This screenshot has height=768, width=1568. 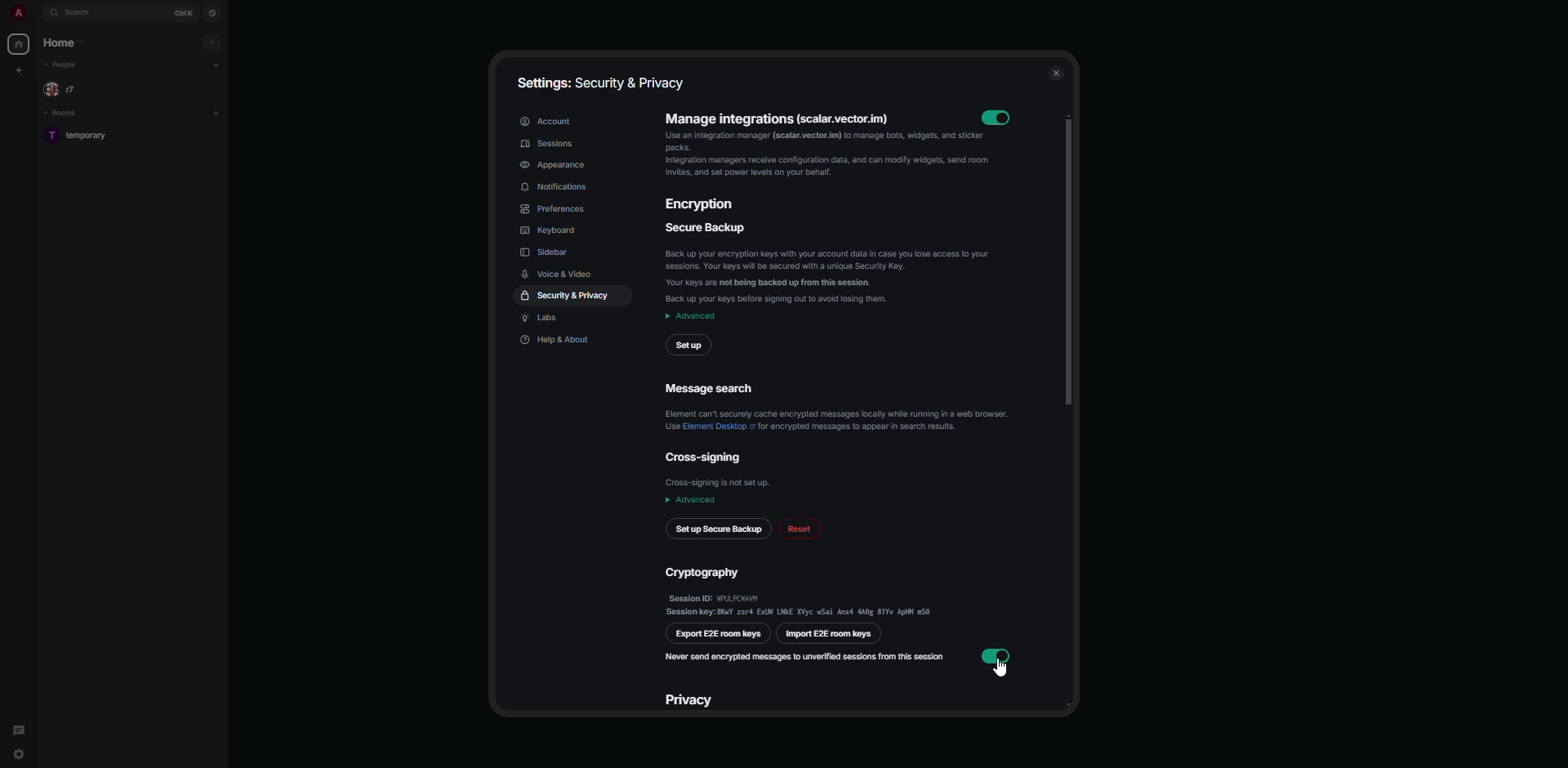 I want to click on cross-signing, so click(x=720, y=468).